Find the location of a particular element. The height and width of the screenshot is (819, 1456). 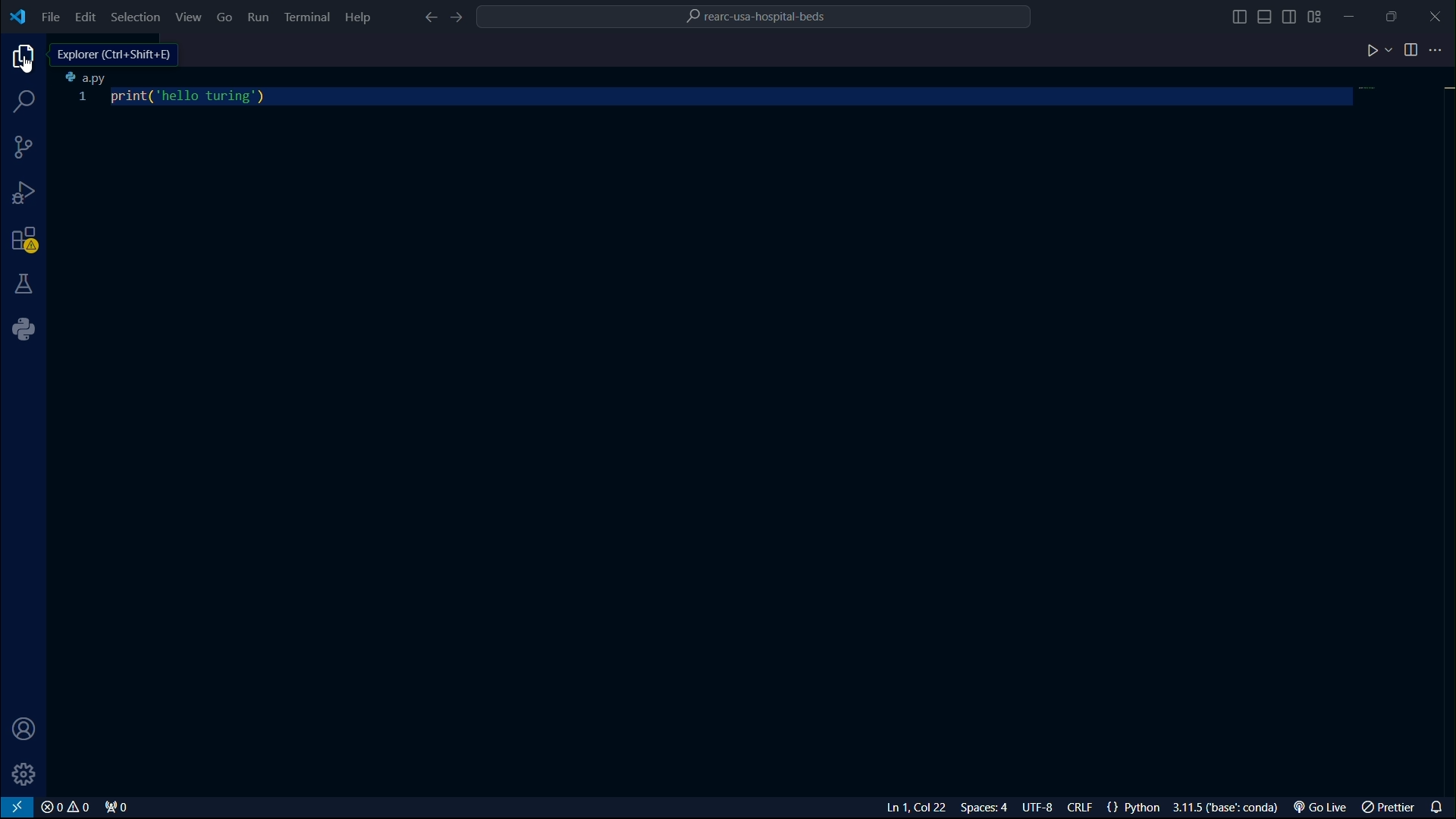

toggle primary sidebar is located at coordinates (1235, 15).